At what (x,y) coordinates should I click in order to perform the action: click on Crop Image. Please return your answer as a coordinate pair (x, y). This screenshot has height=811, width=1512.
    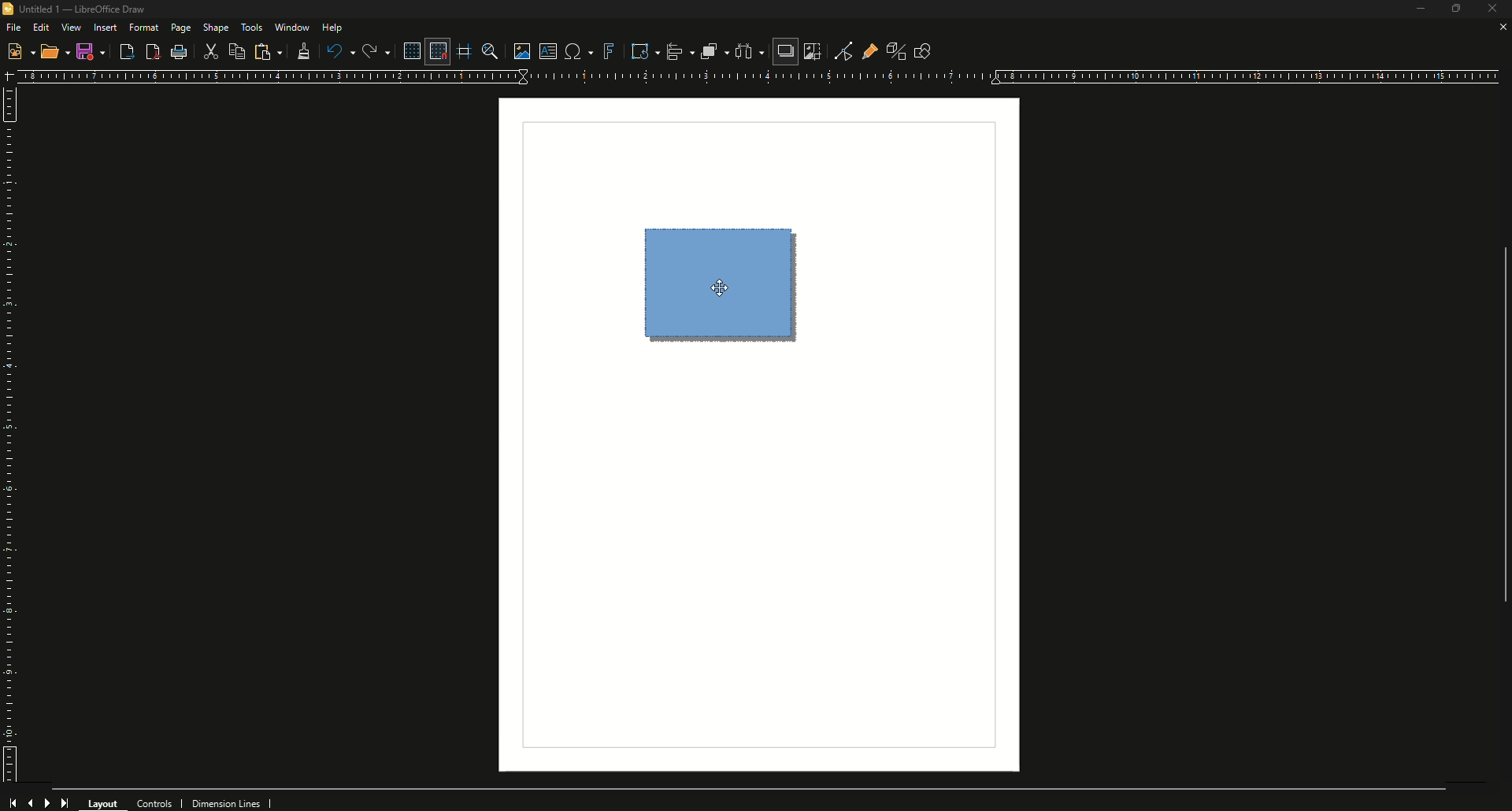
    Looking at the image, I should click on (812, 51).